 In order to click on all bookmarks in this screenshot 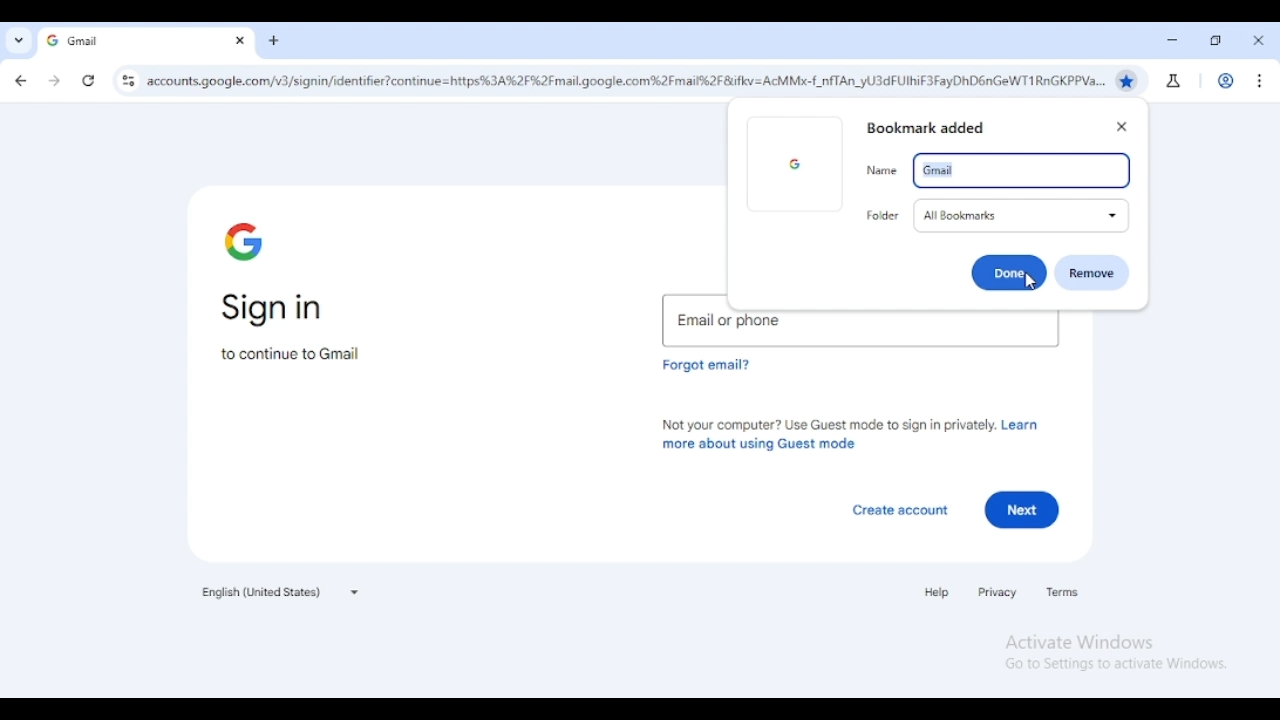, I will do `click(1022, 215)`.